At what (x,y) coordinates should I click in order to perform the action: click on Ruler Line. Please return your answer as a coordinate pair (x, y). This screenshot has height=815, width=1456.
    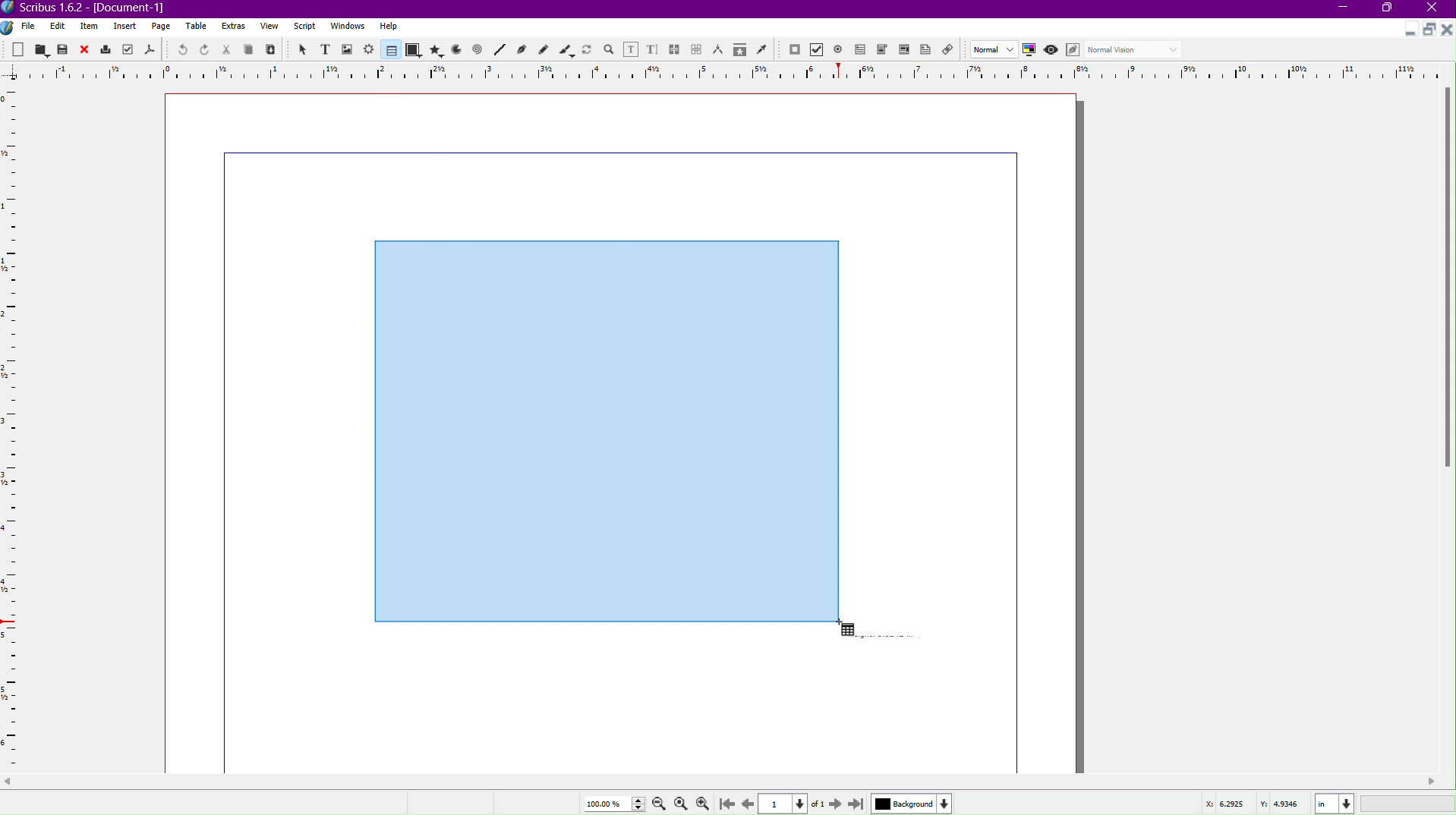
    Looking at the image, I should click on (17, 428).